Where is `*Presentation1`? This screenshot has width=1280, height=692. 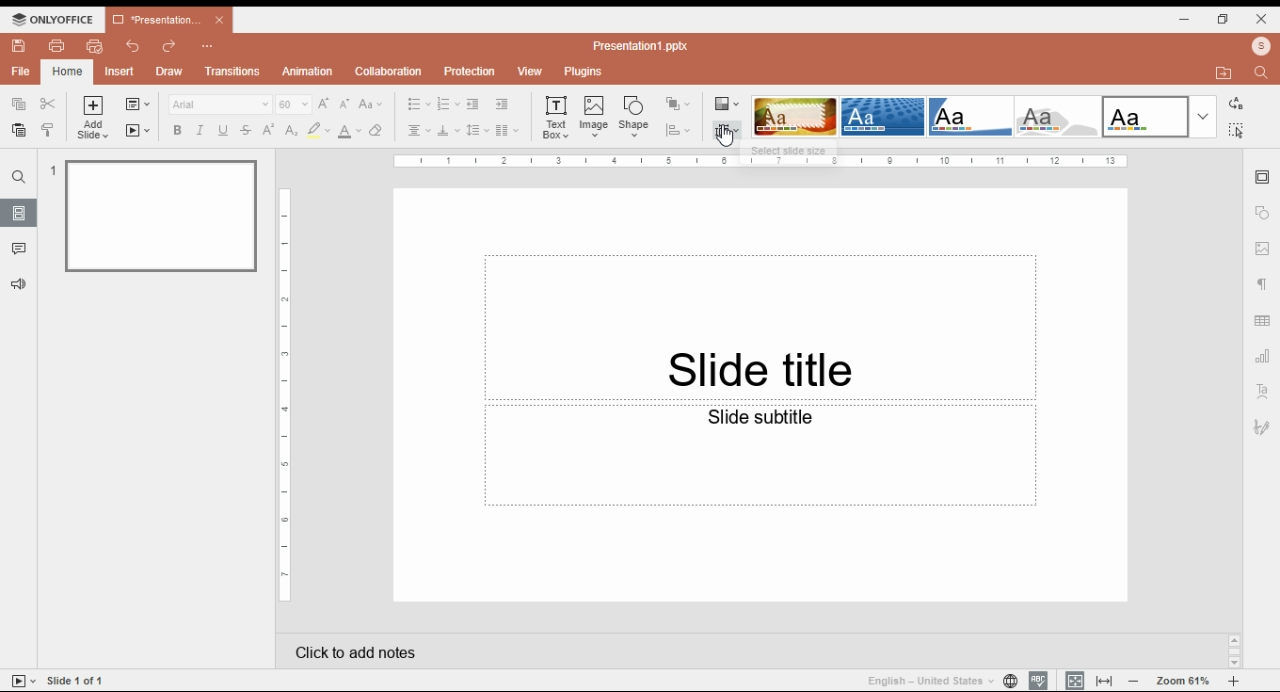
*Presentation1 is located at coordinates (169, 20).